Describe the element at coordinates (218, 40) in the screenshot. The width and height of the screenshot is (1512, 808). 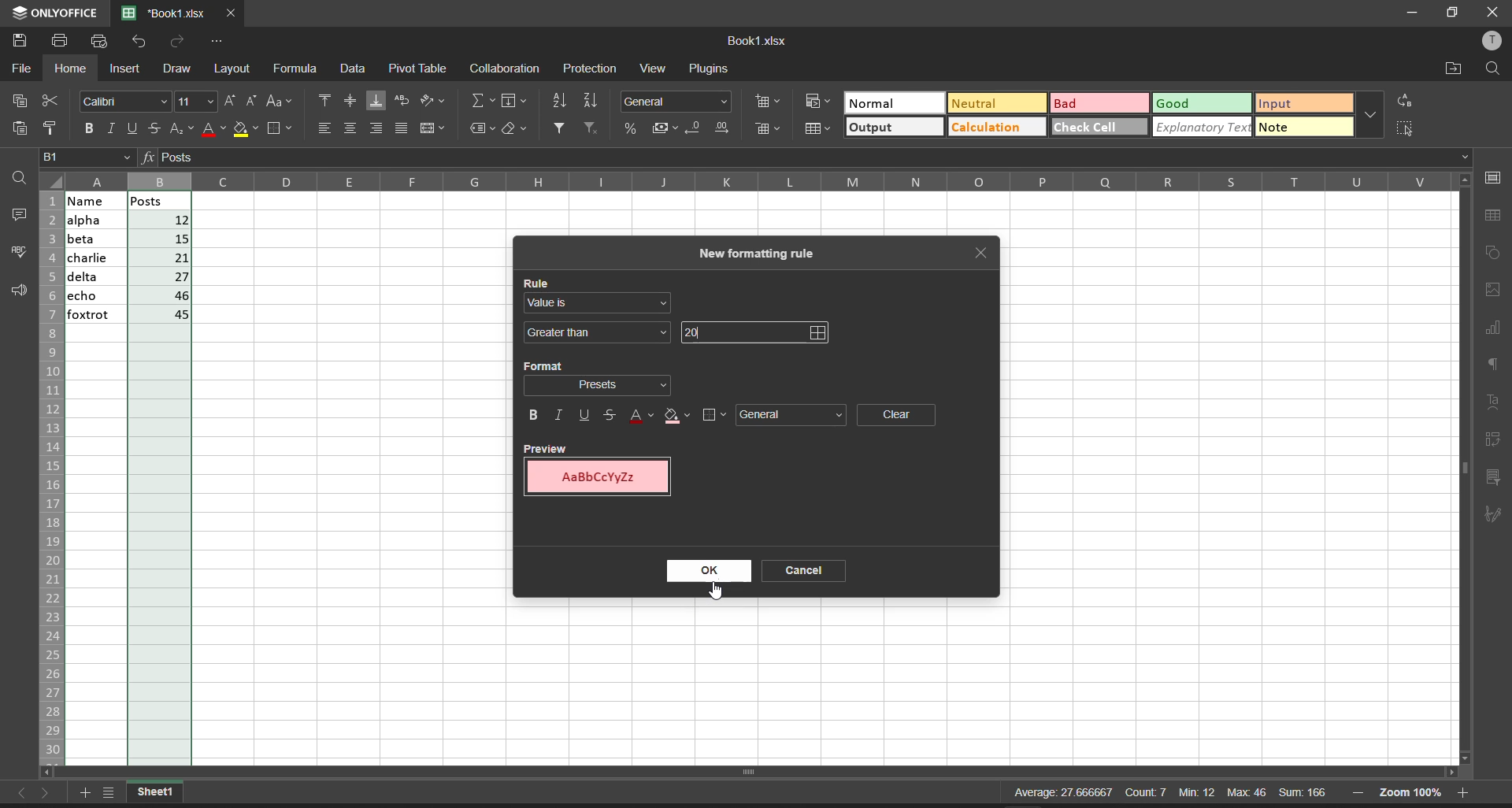
I see `customize quick access toolbar` at that location.